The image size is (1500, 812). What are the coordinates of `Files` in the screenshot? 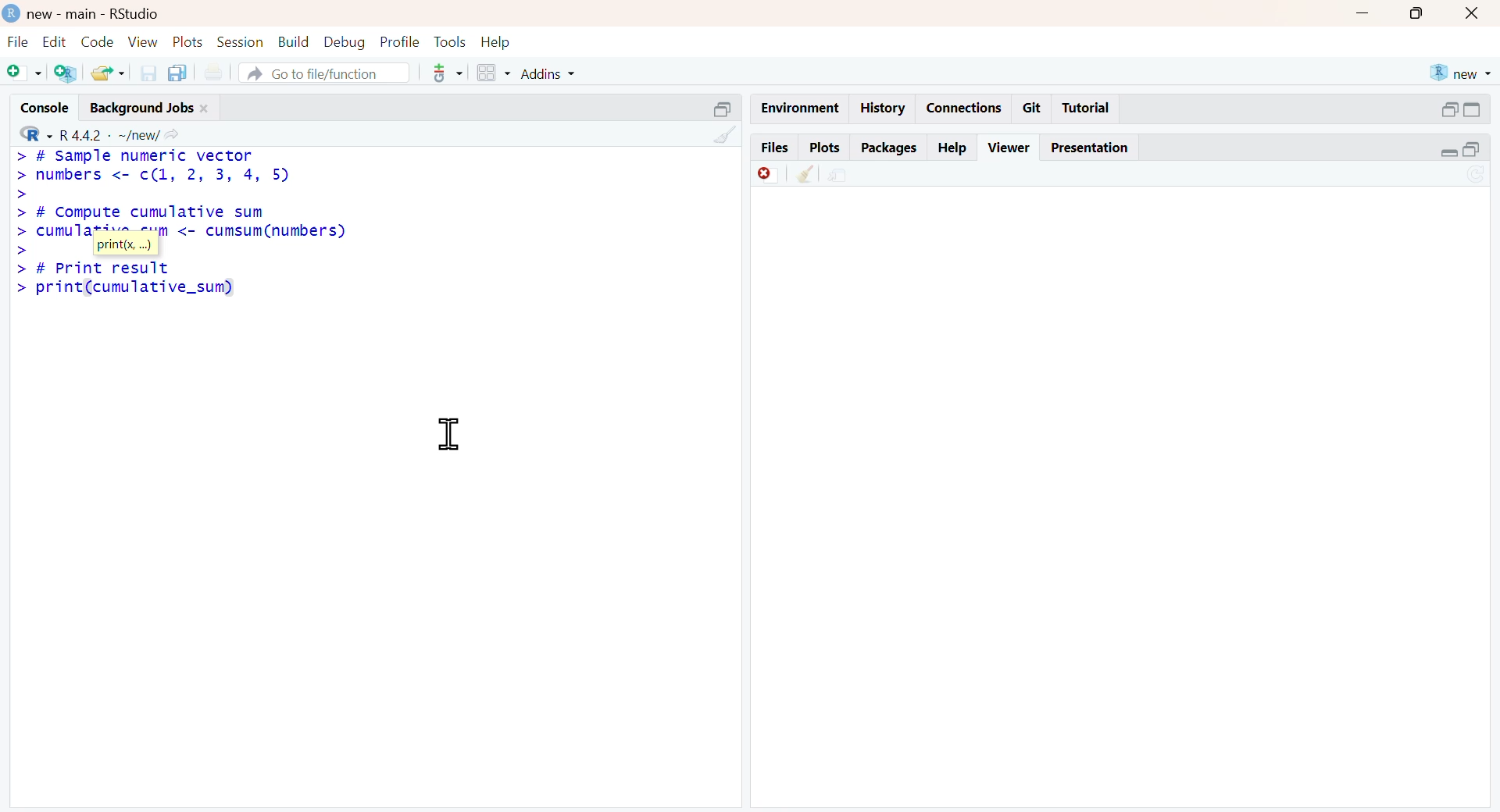 It's located at (775, 148).